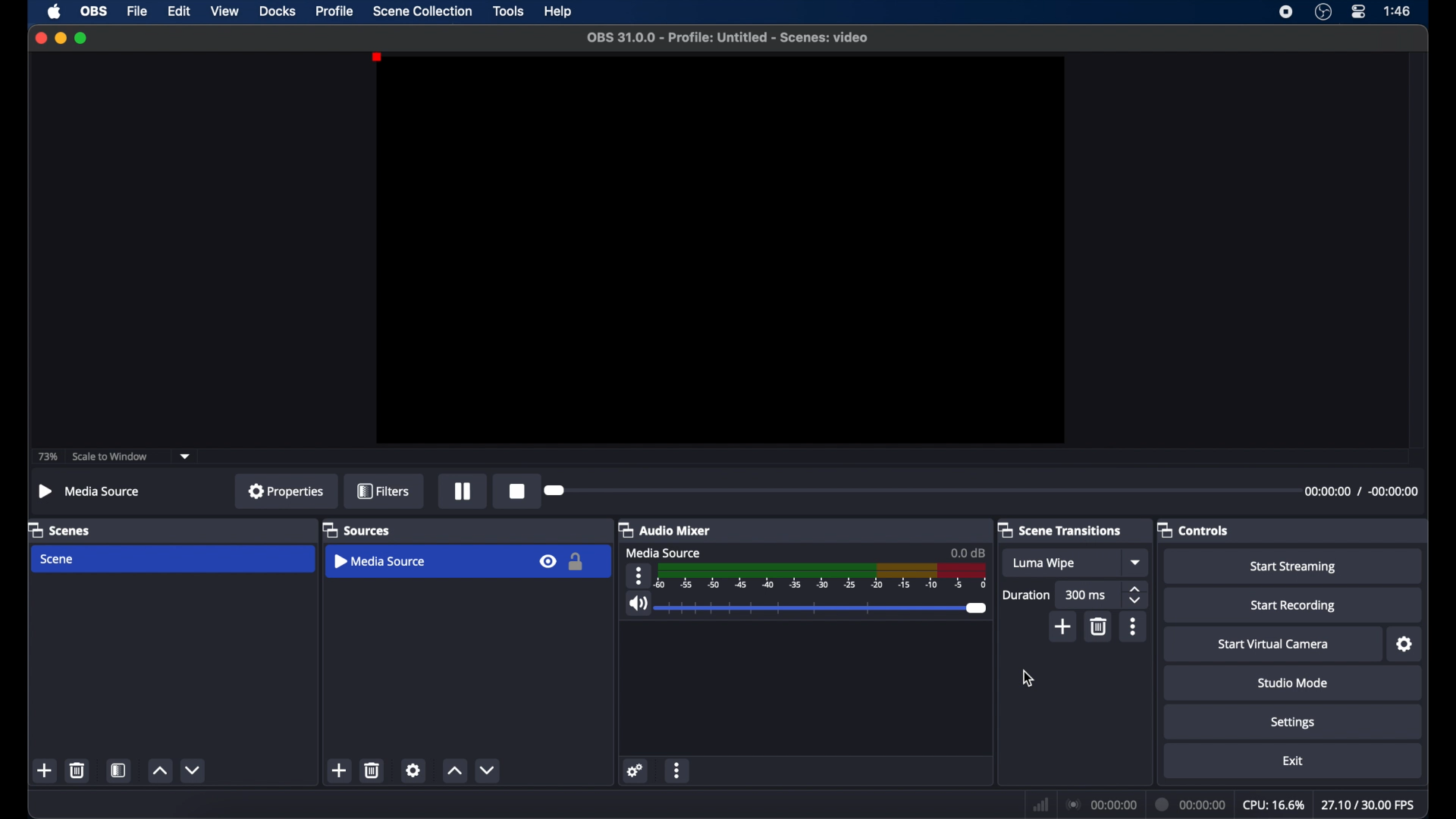 The image size is (1456, 819). I want to click on tools, so click(510, 10).